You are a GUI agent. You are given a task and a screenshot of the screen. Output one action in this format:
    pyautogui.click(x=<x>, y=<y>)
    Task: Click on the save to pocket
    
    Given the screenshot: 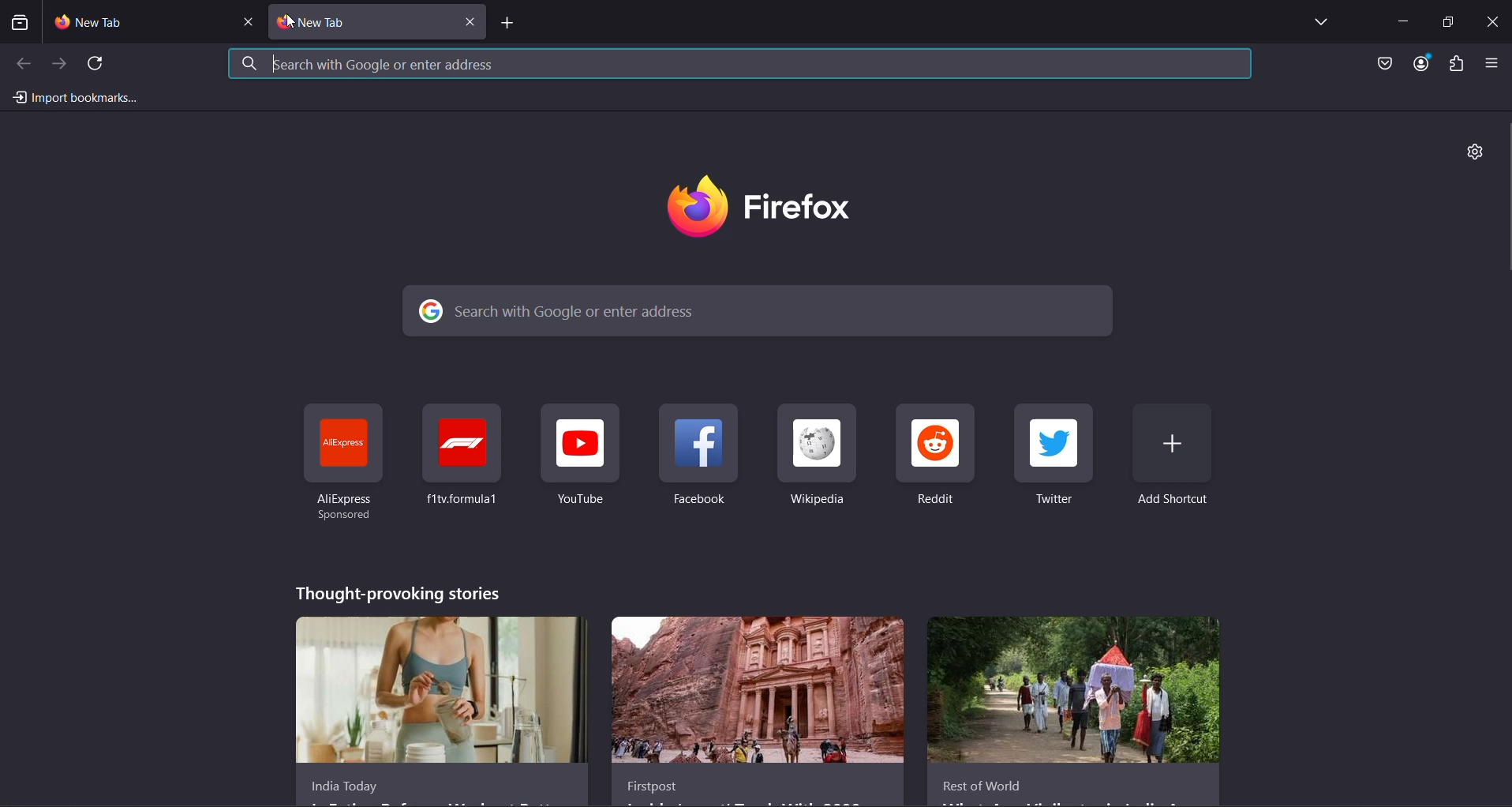 What is the action you would take?
    pyautogui.click(x=1383, y=65)
    